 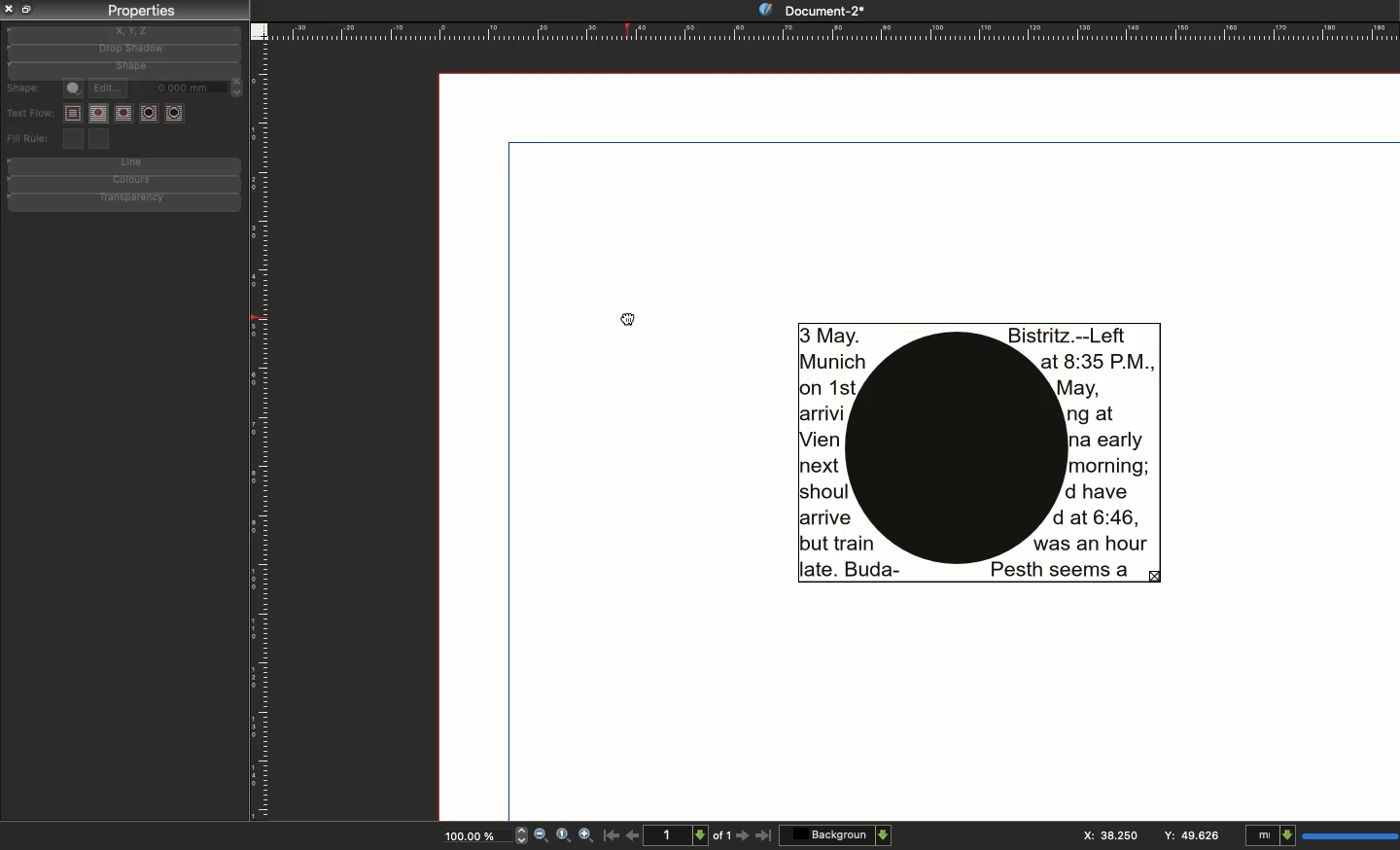 What do you see at coordinates (10, 9) in the screenshot?
I see `Close` at bounding box center [10, 9].